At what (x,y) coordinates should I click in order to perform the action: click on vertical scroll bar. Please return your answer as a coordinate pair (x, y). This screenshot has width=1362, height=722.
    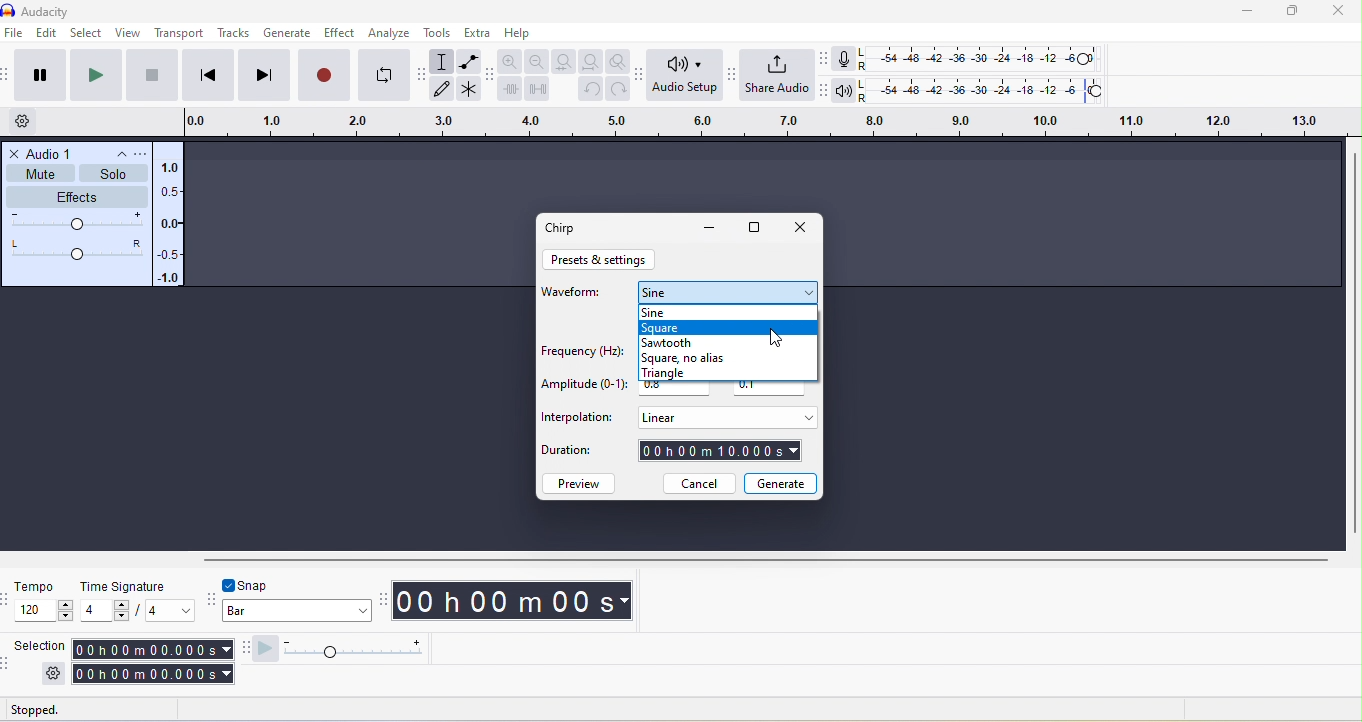
    Looking at the image, I should click on (1353, 343).